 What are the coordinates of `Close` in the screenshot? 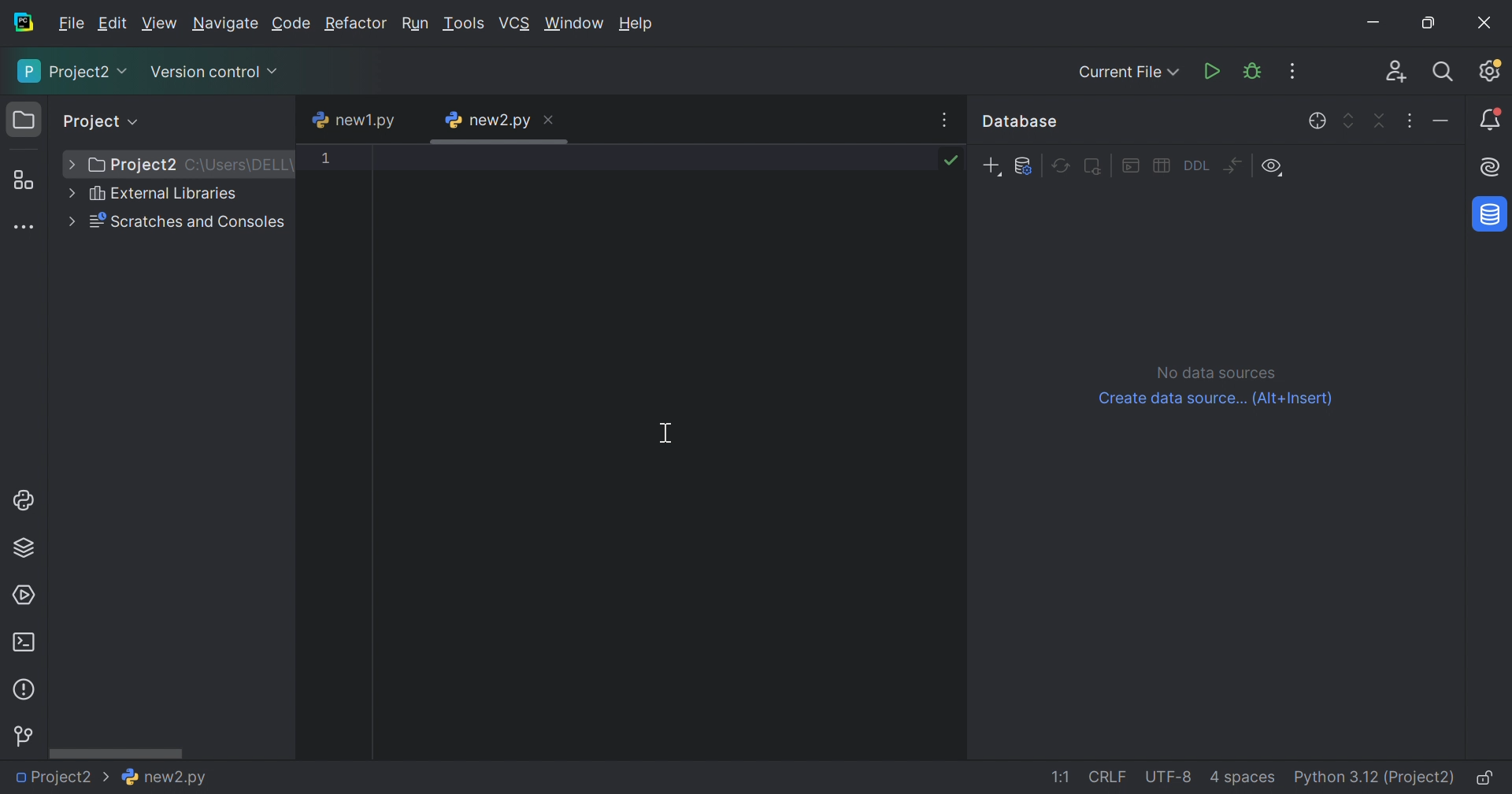 It's located at (1484, 21).